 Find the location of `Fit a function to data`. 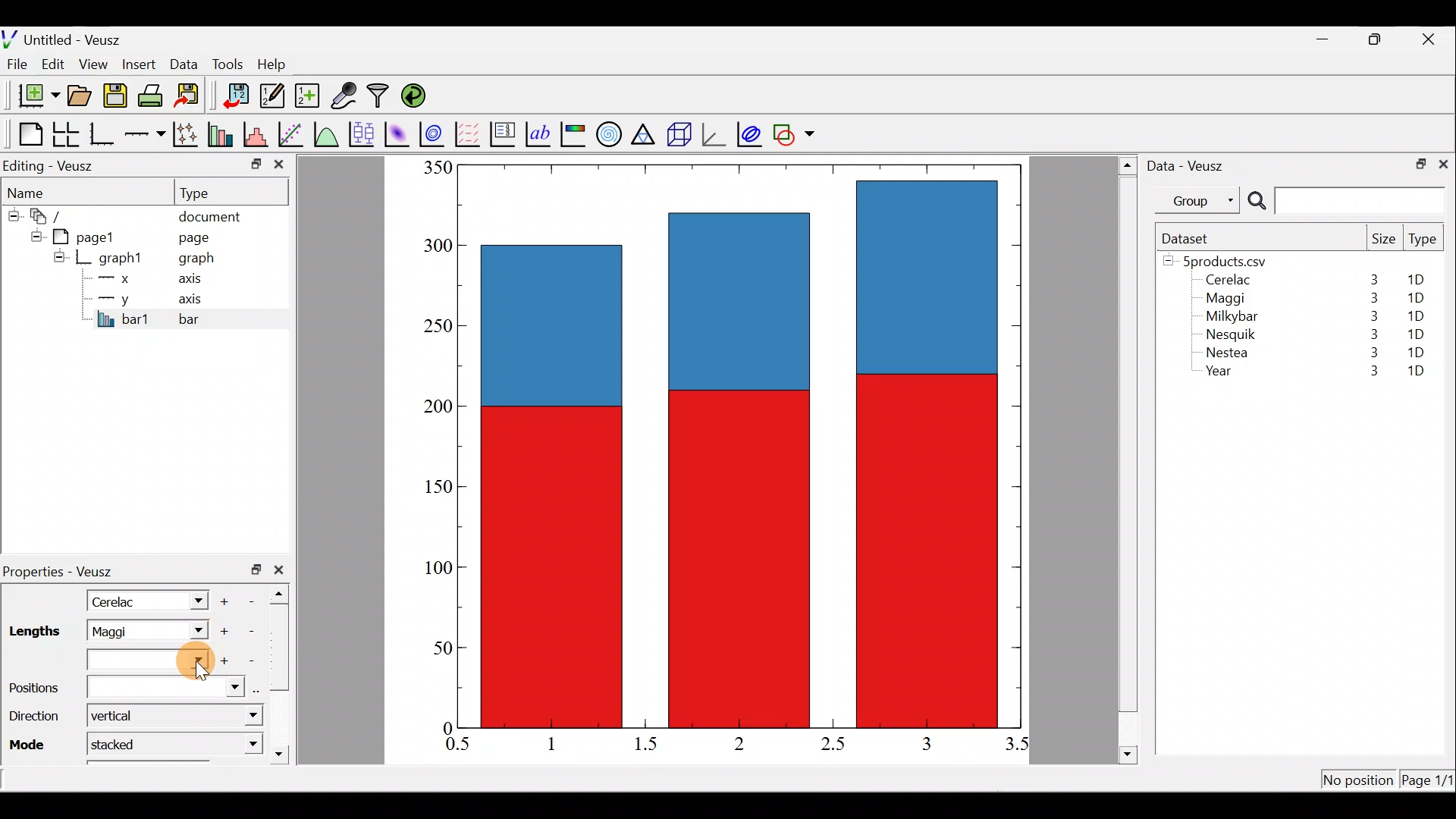

Fit a function to data is located at coordinates (292, 133).